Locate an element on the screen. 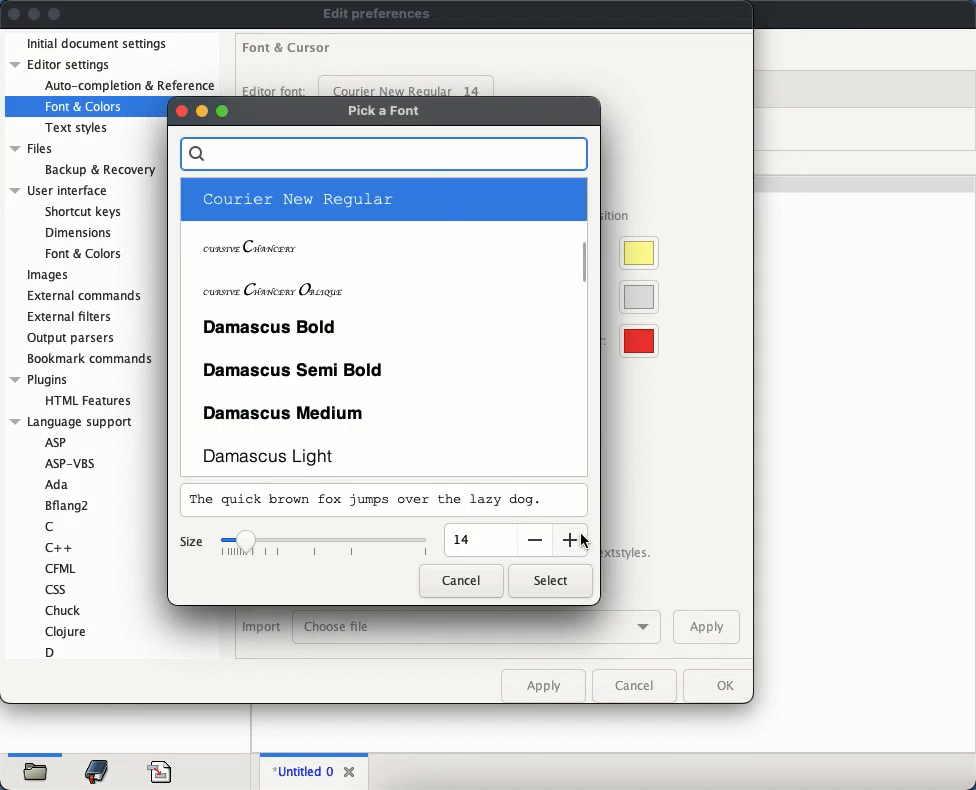  damascus medium is located at coordinates (383, 410).